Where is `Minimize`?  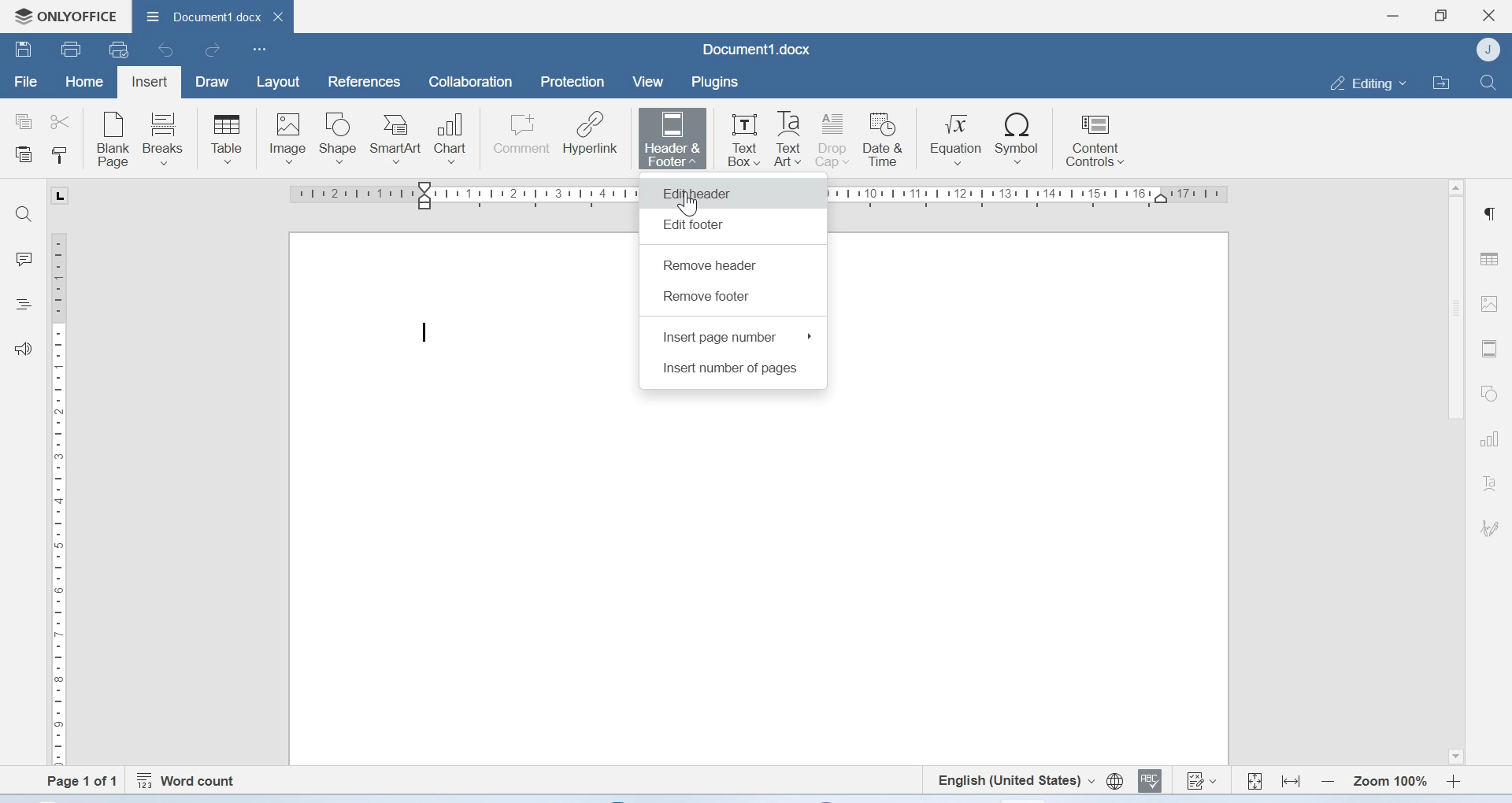
Minimize is located at coordinates (1393, 16).